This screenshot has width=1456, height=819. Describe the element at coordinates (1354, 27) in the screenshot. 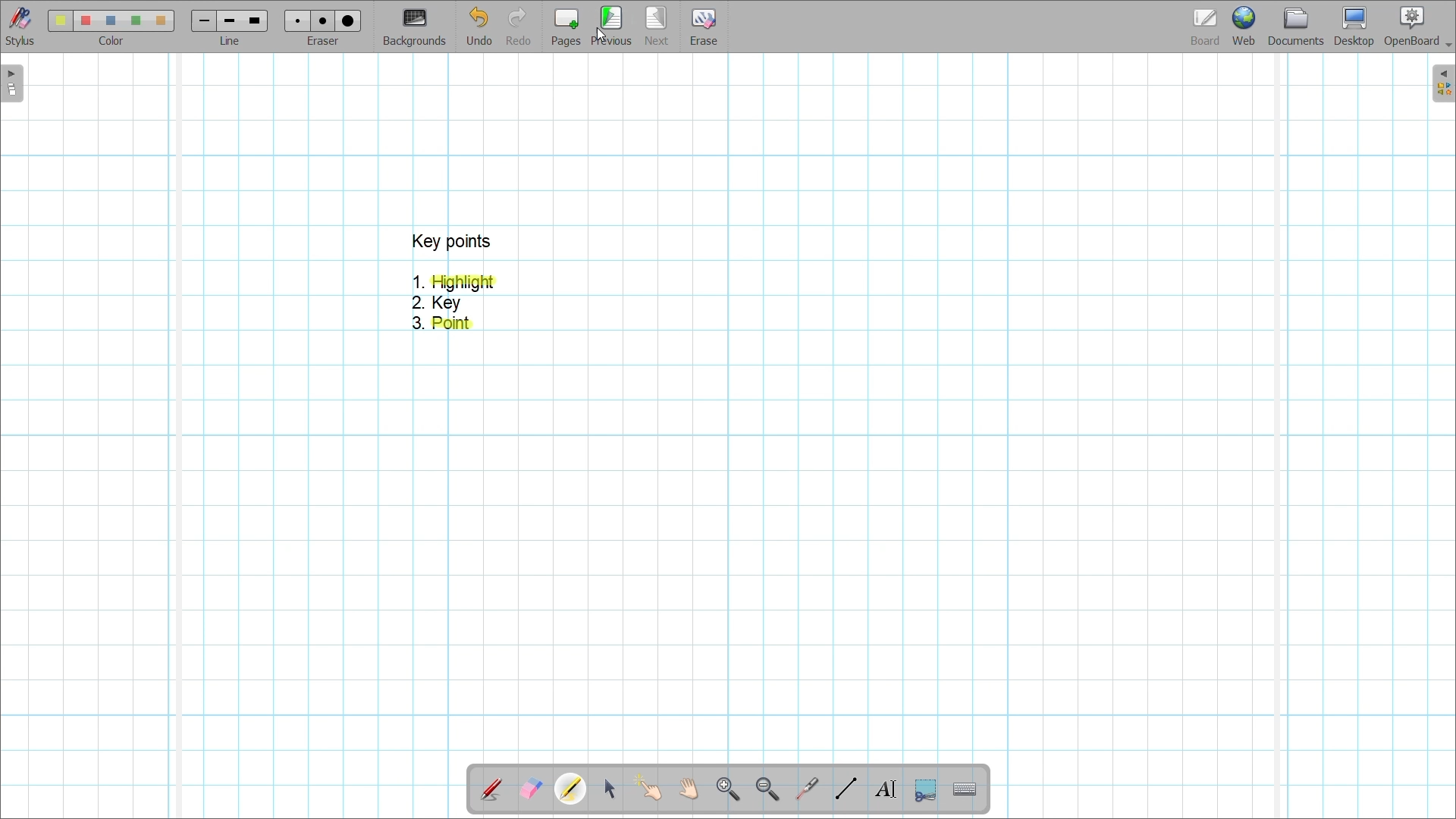

I see `Desktop` at that location.